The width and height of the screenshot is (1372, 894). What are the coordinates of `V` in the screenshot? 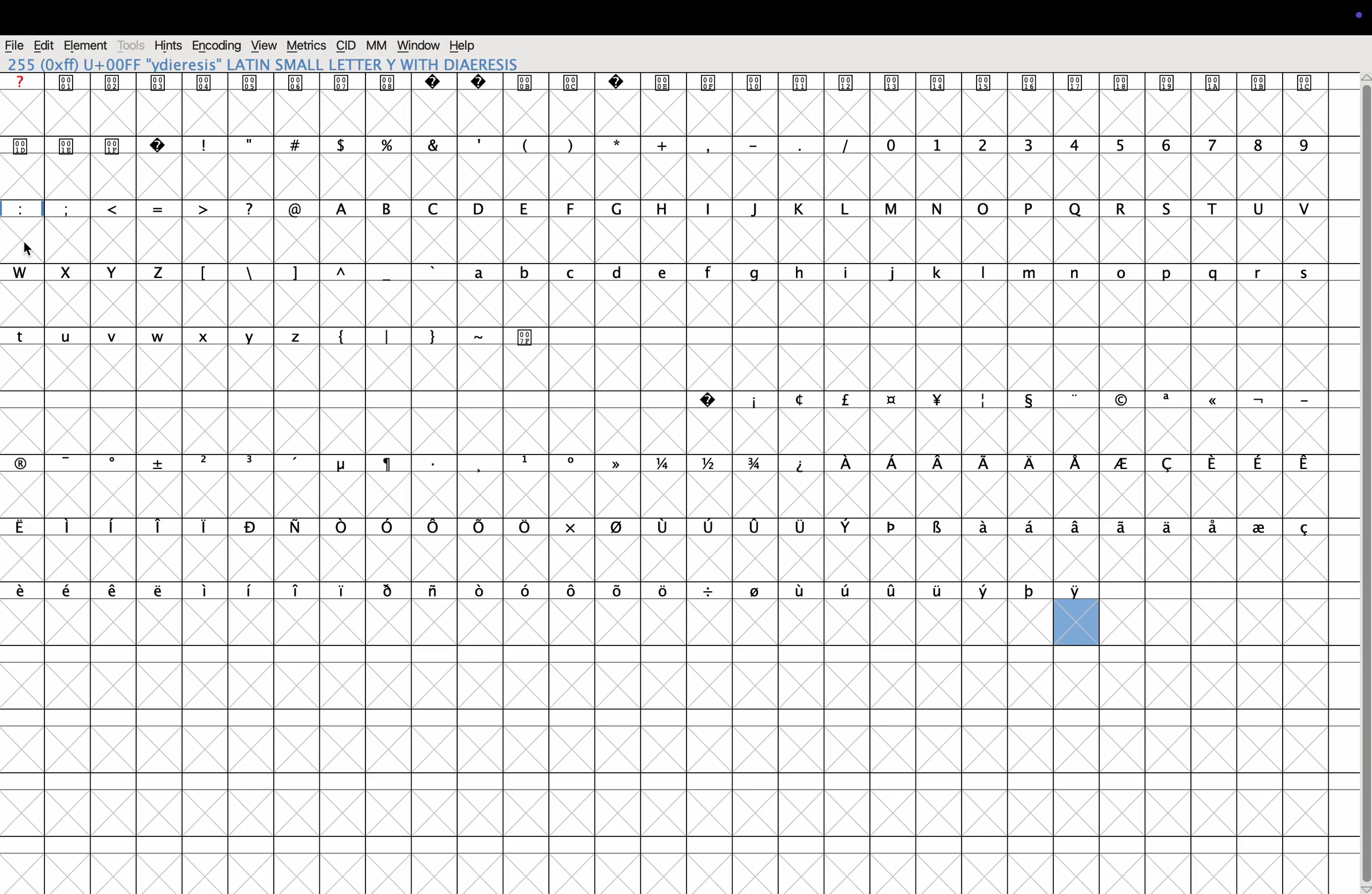 It's located at (1305, 229).